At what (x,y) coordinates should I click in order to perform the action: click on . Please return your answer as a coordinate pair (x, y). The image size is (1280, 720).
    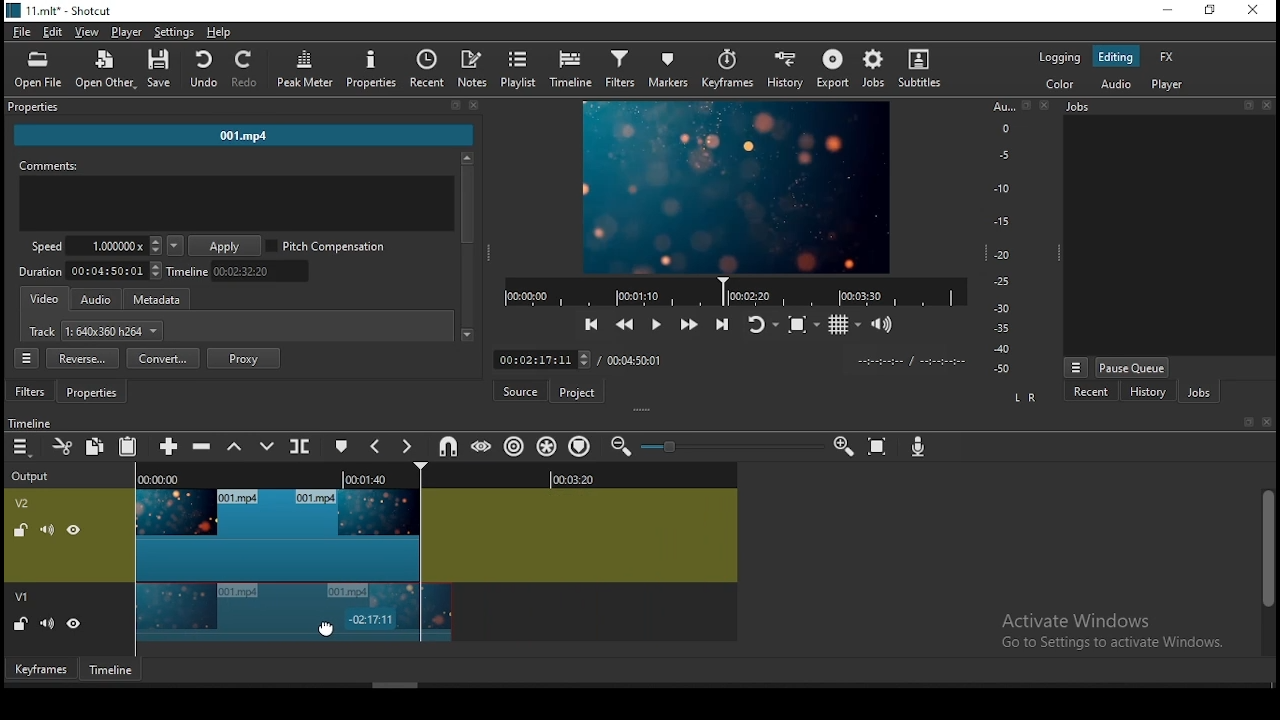
    Looking at the image, I should click on (30, 421).